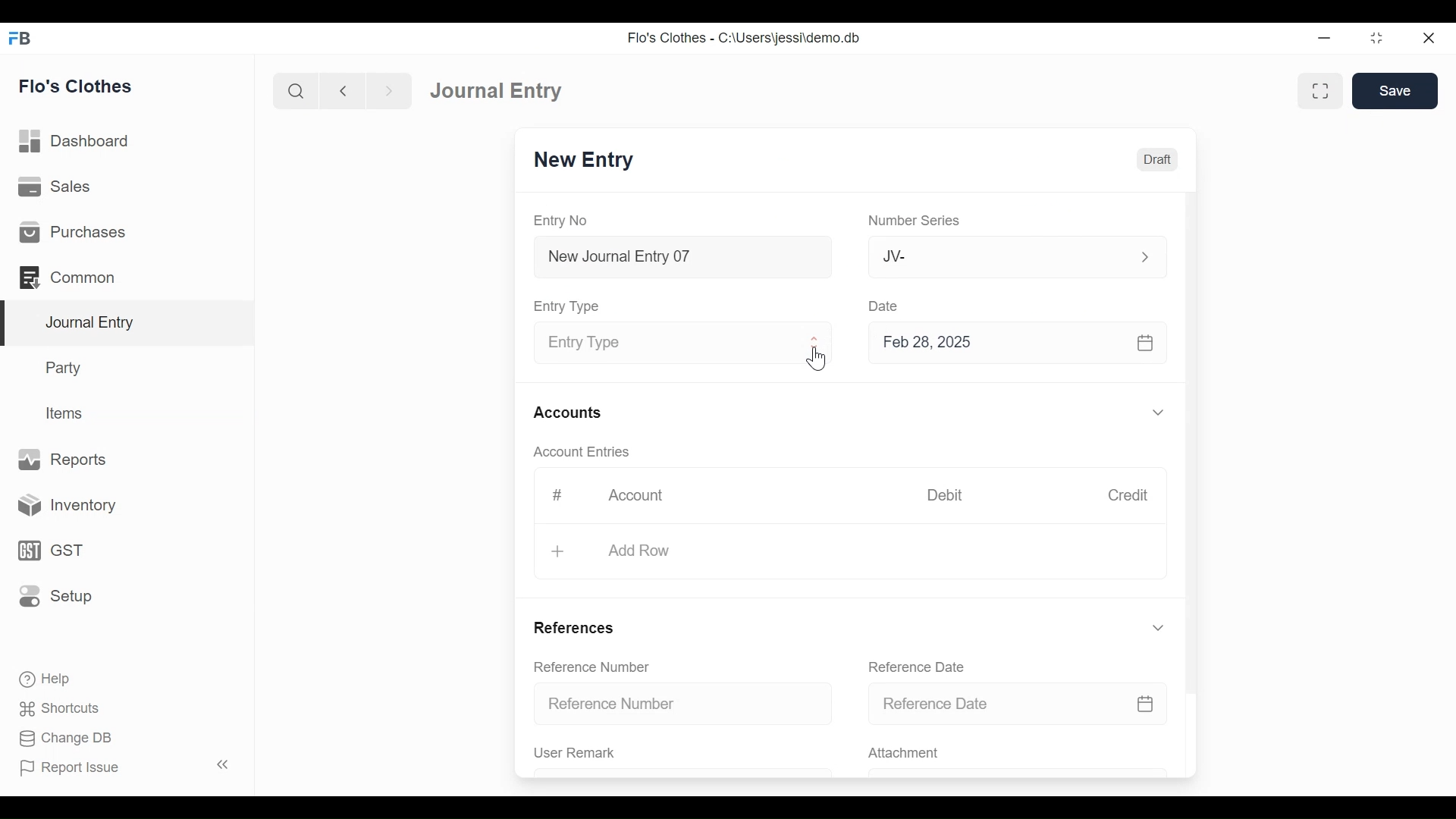 The height and width of the screenshot is (819, 1456). What do you see at coordinates (1011, 345) in the screenshot?
I see `Feb 28, 2025` at bounding box center [1011, 345].